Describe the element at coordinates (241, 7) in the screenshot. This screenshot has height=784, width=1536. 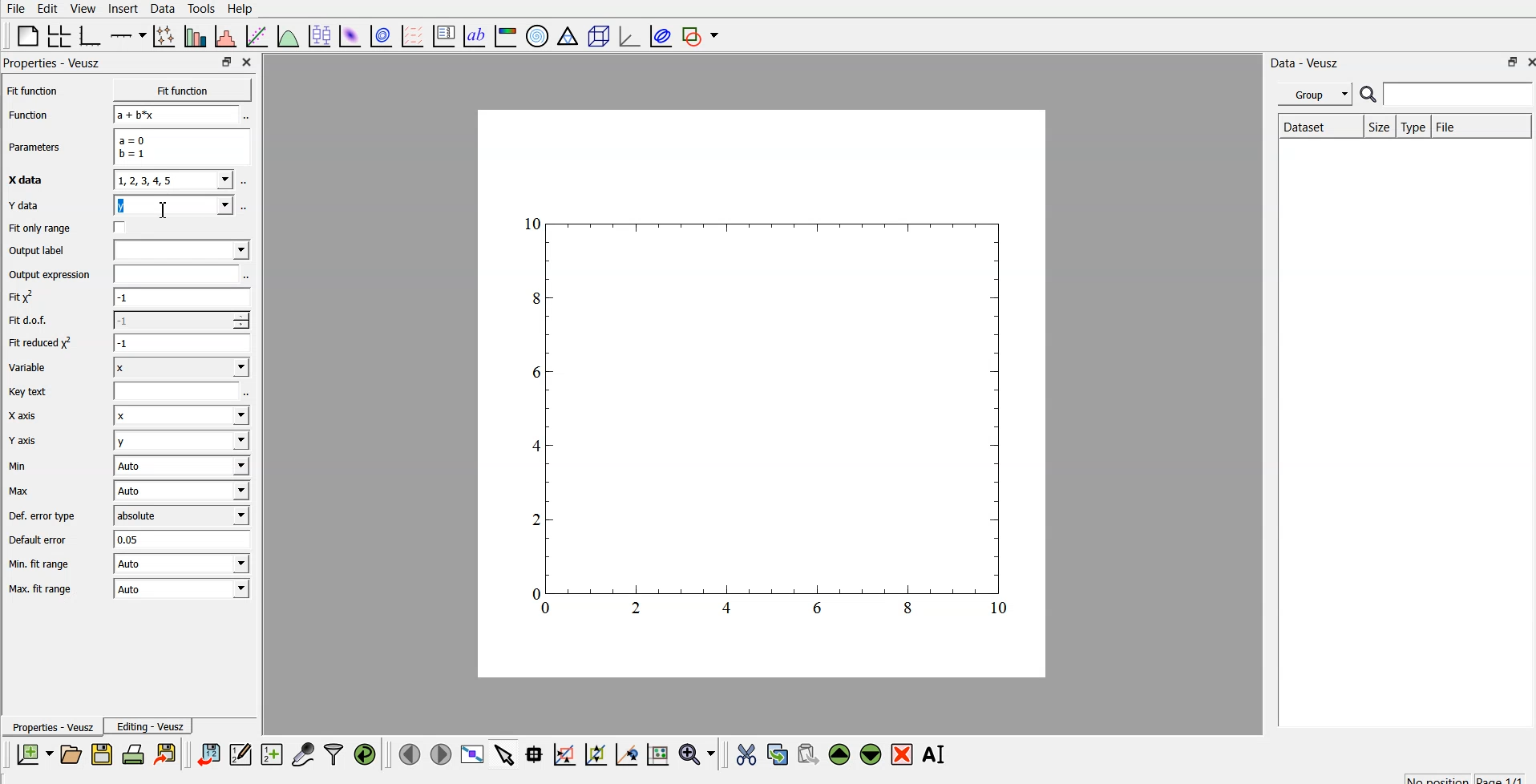
I see `Help` at that location.